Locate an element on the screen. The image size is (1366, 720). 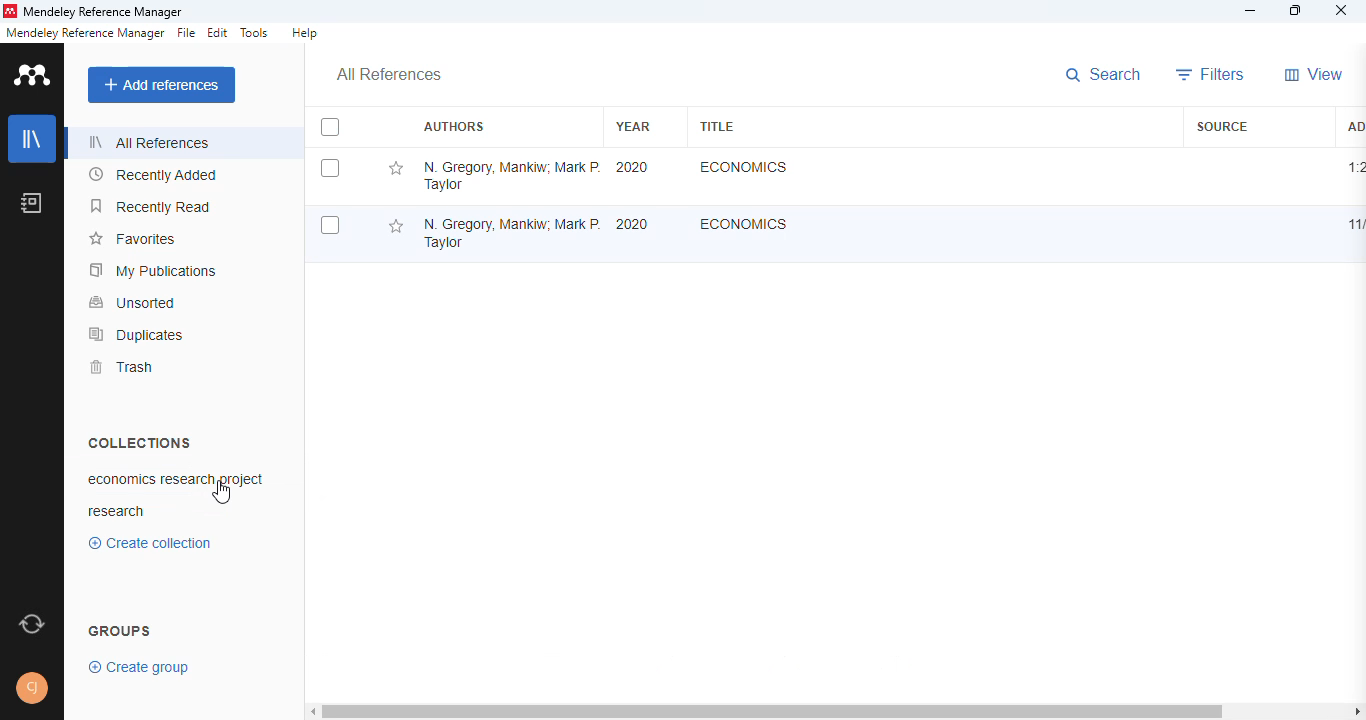
recently read is located at coordinates (152, 206).